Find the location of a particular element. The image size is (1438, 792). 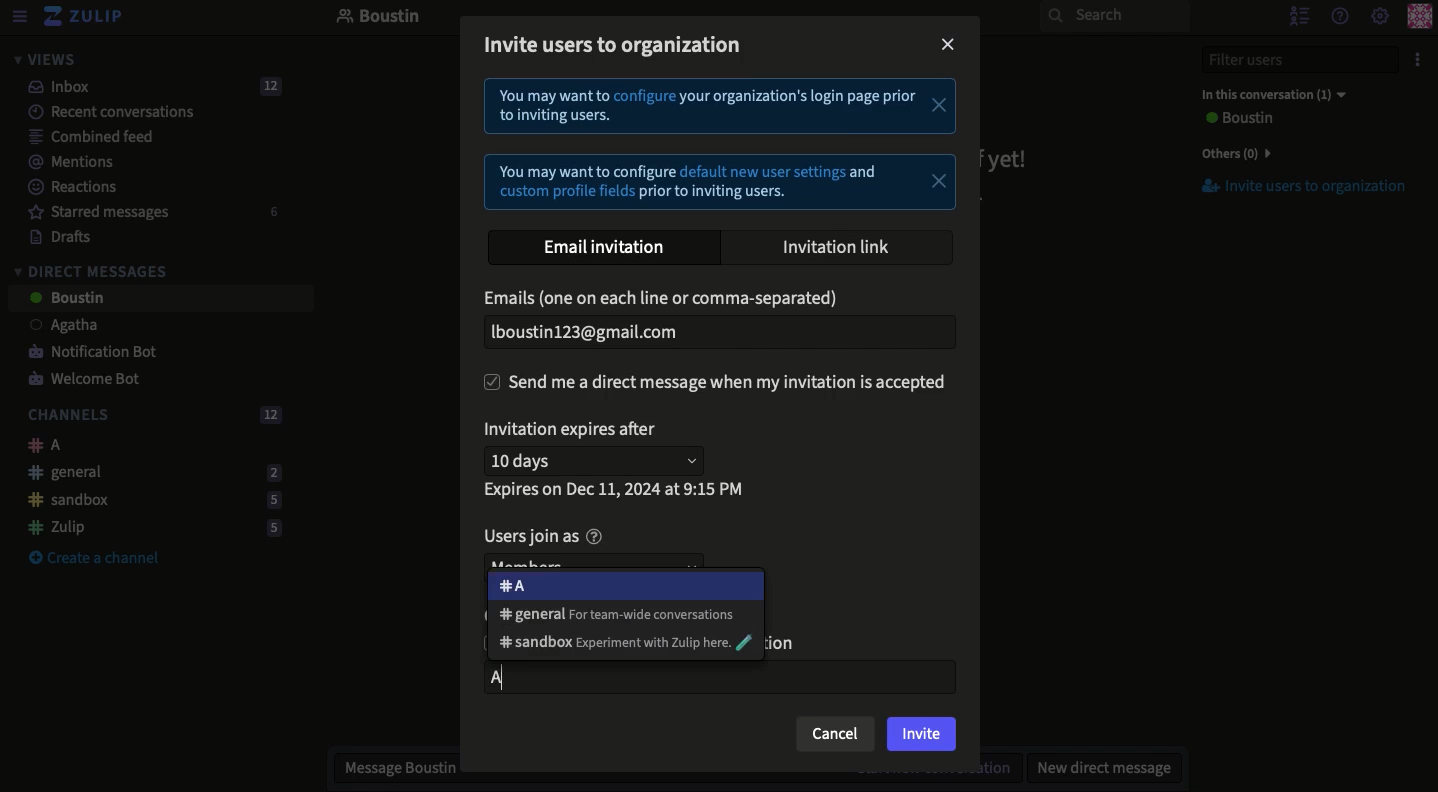

Instructional text is located at coordinates (720, 145).